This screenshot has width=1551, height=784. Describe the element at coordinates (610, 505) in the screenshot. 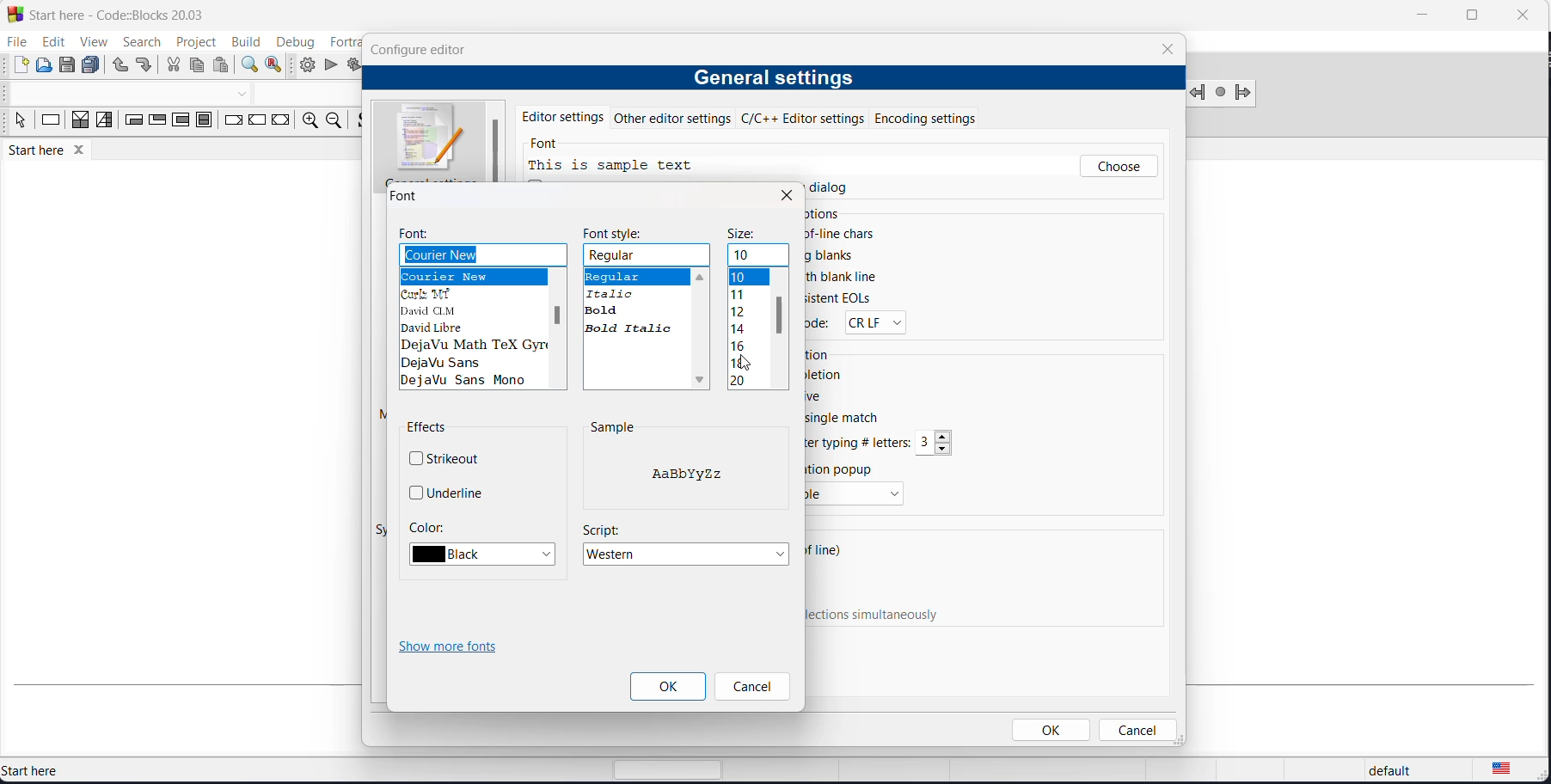

I see `selection brace competion` at that location.